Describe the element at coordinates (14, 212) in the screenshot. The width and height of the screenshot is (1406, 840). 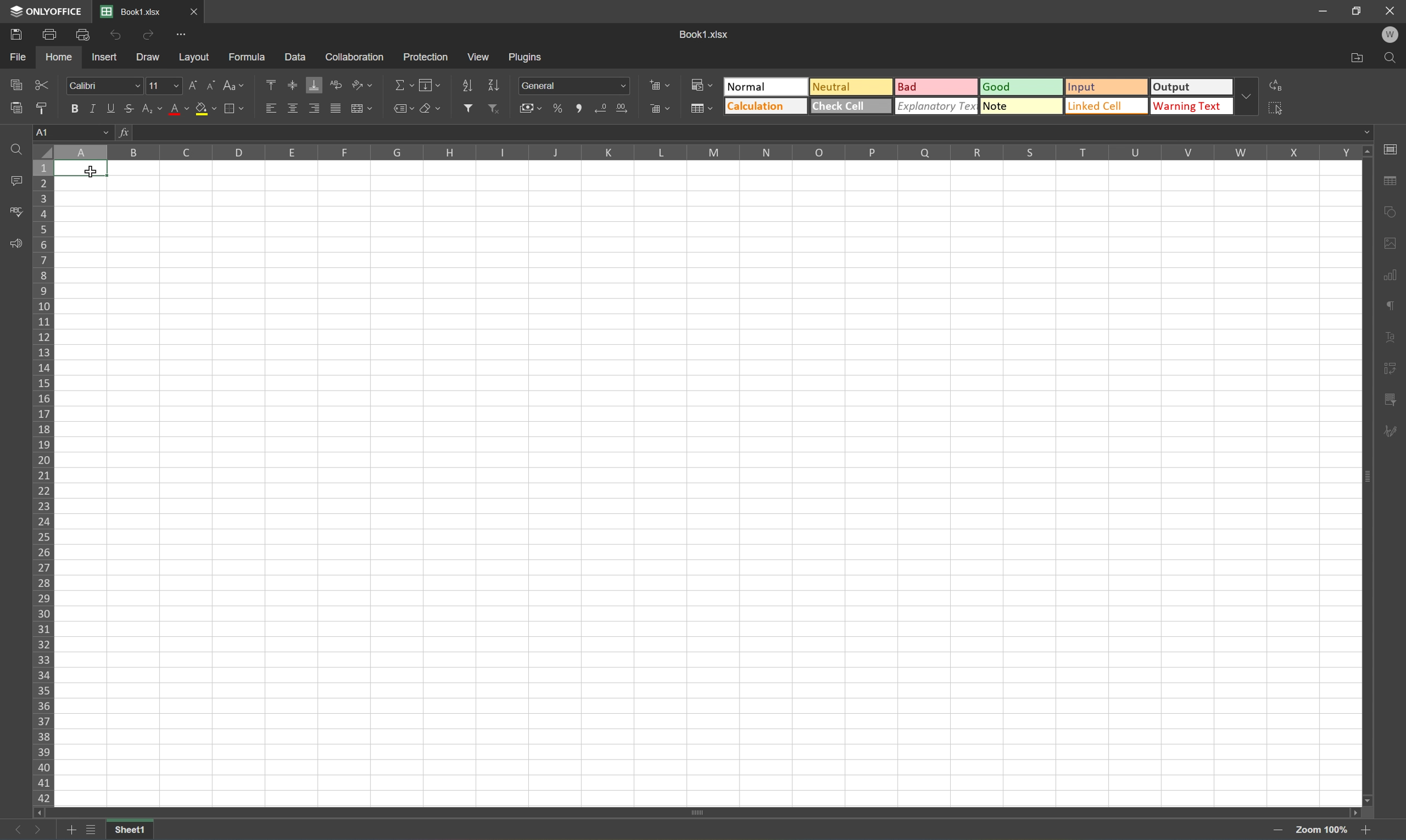
I see `Spell checking` at that location.